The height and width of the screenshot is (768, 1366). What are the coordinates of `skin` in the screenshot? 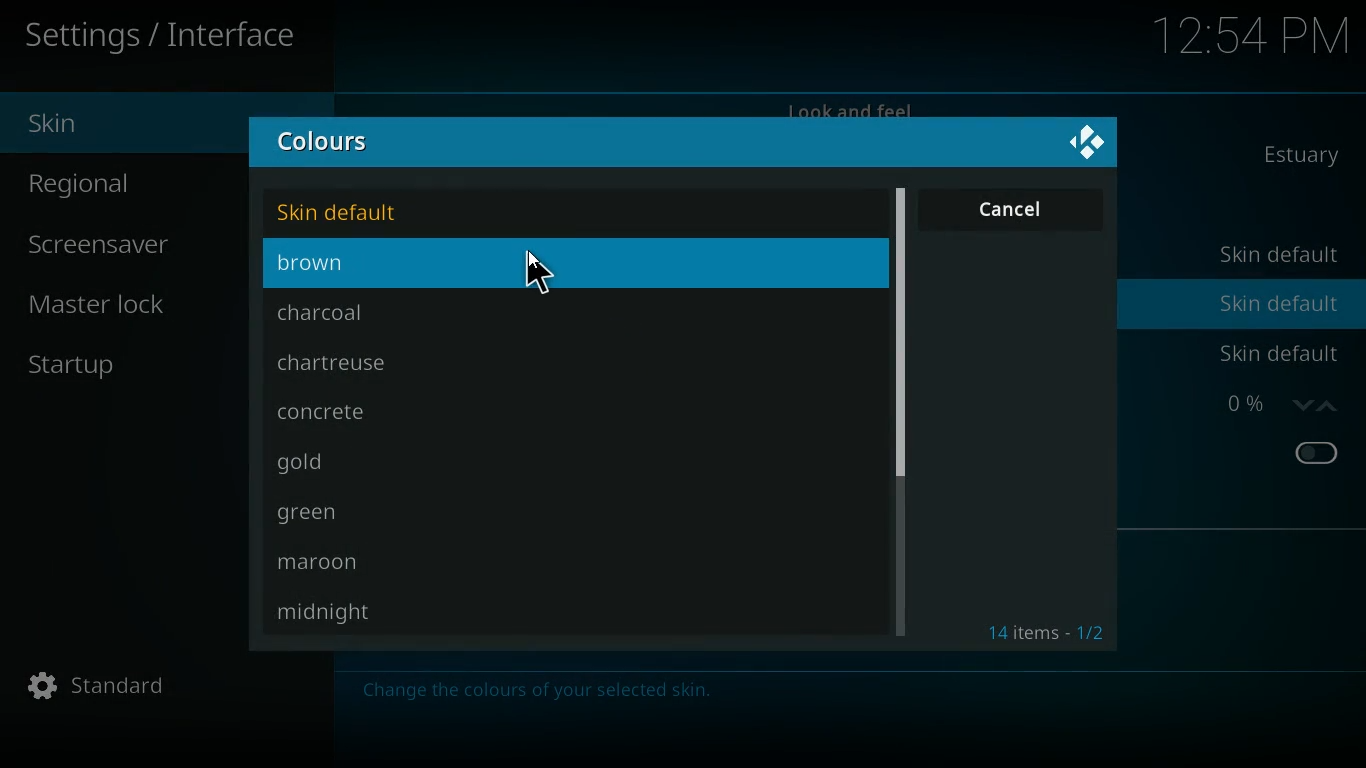 It's located at (1310, 157).